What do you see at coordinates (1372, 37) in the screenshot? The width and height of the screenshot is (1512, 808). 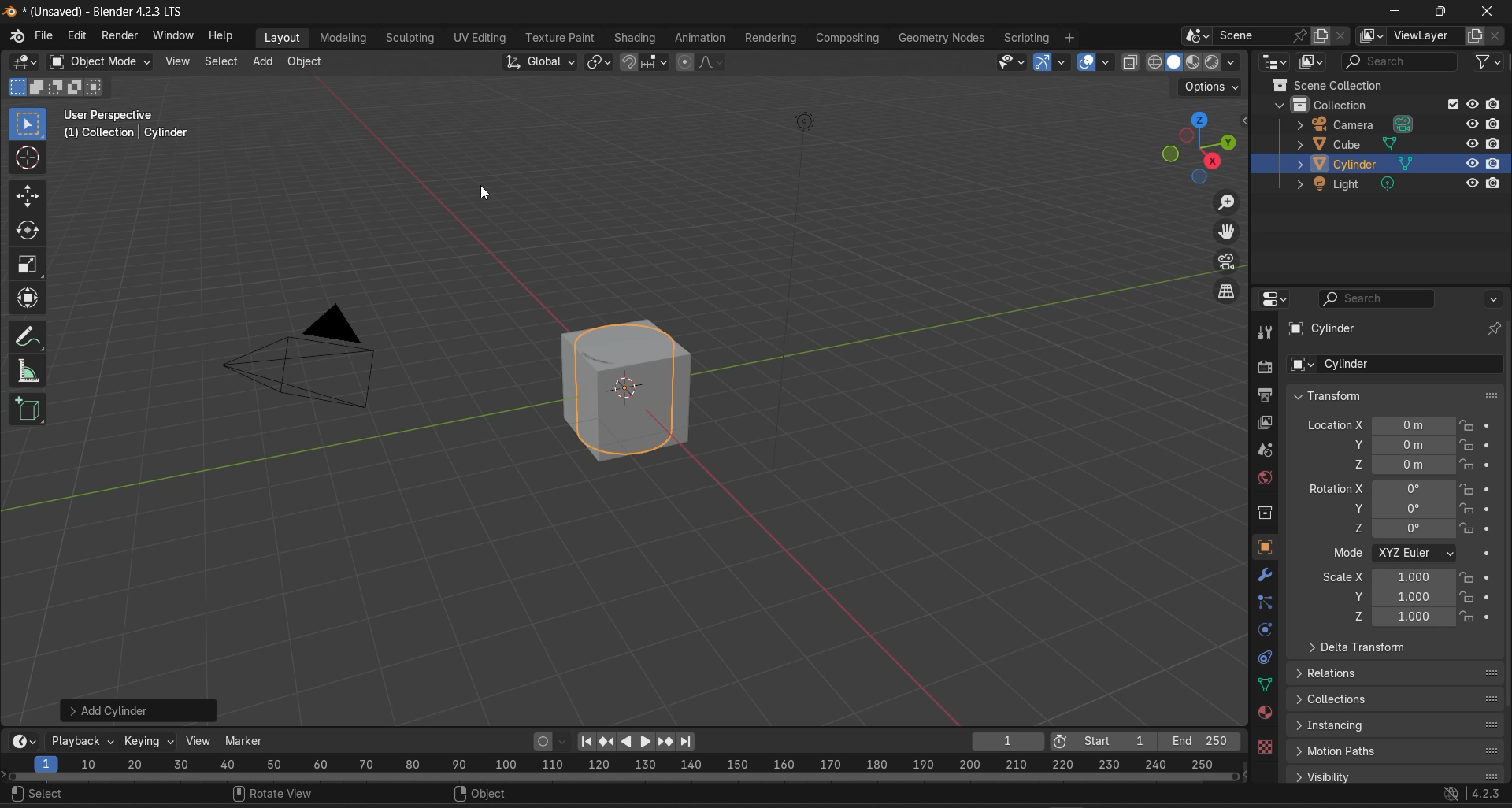 I see `active workspace` at bounding box center [1372, 37].